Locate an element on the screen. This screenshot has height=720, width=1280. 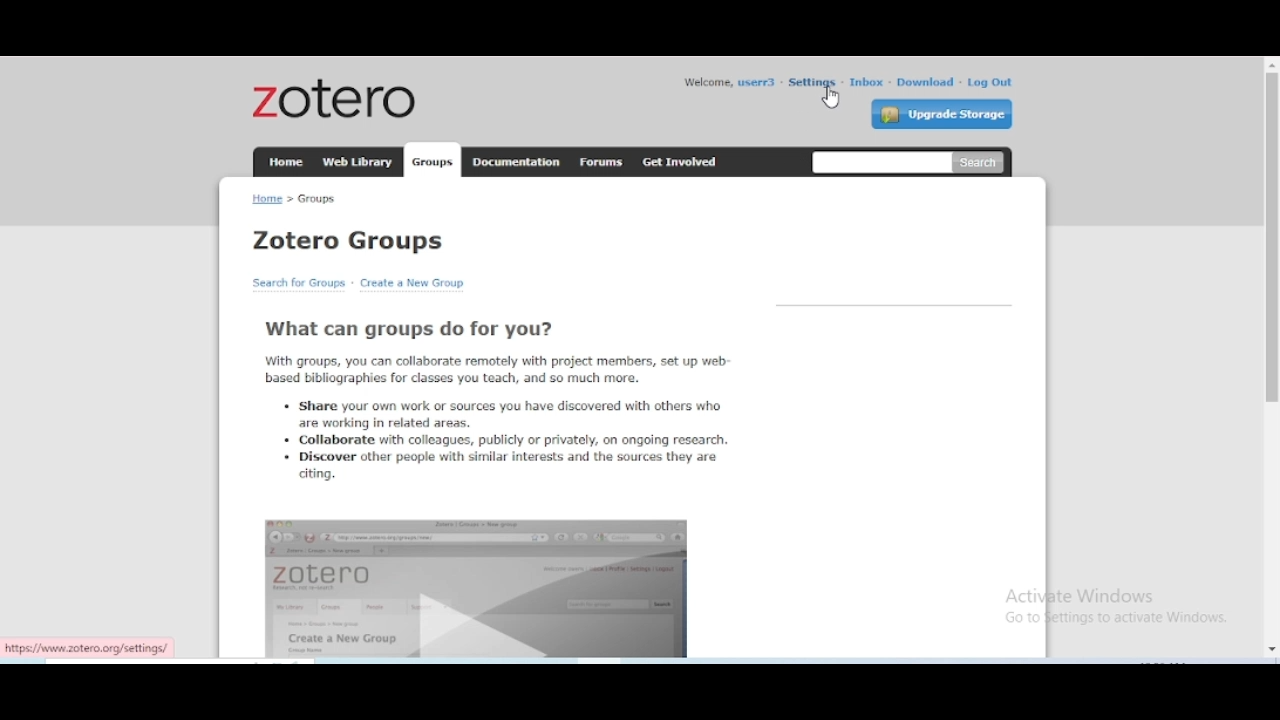
vertical scroll bar is located at coordinates (1272, 357).